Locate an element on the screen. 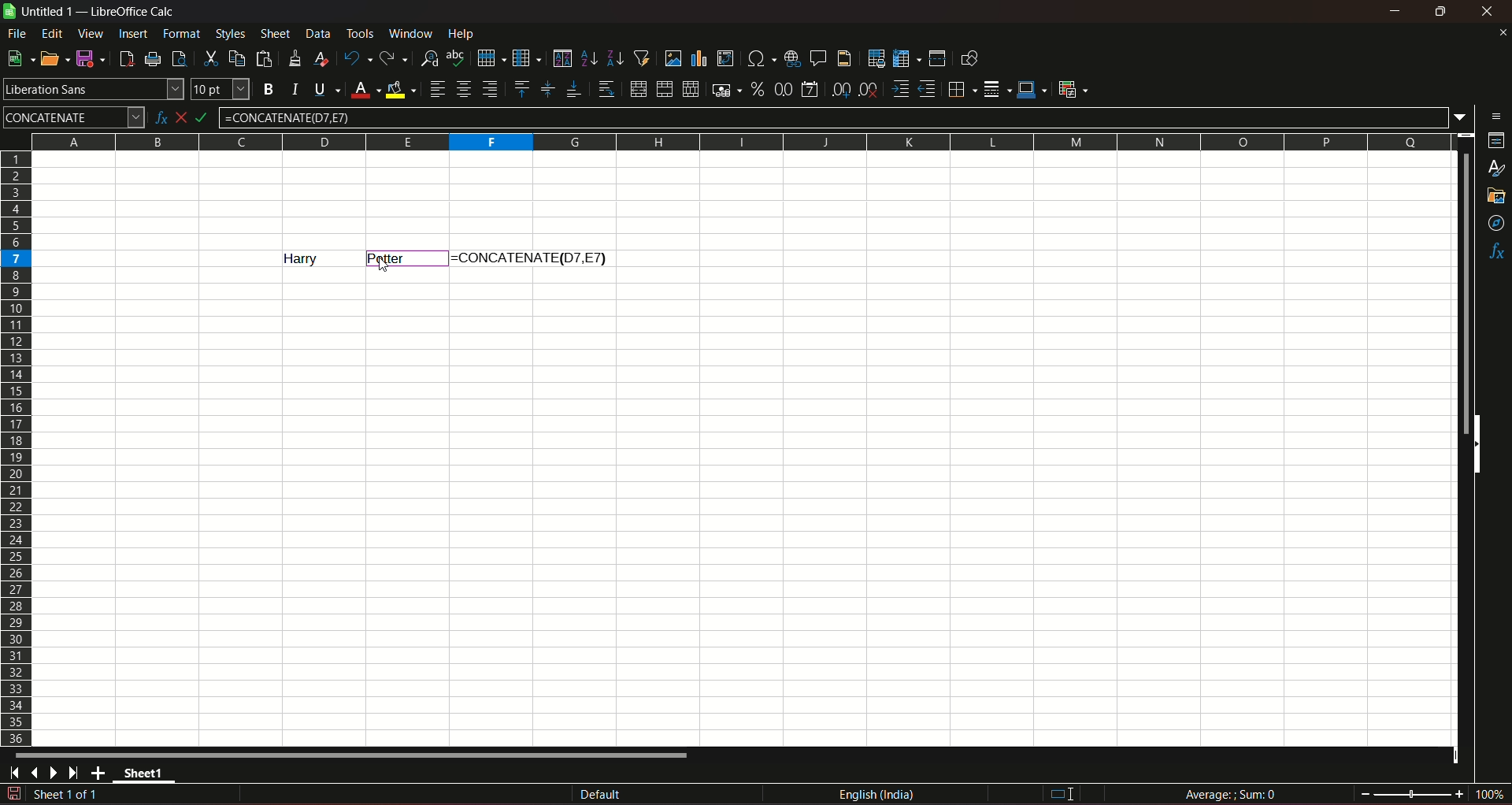  data is located at coordinates (318, 33).